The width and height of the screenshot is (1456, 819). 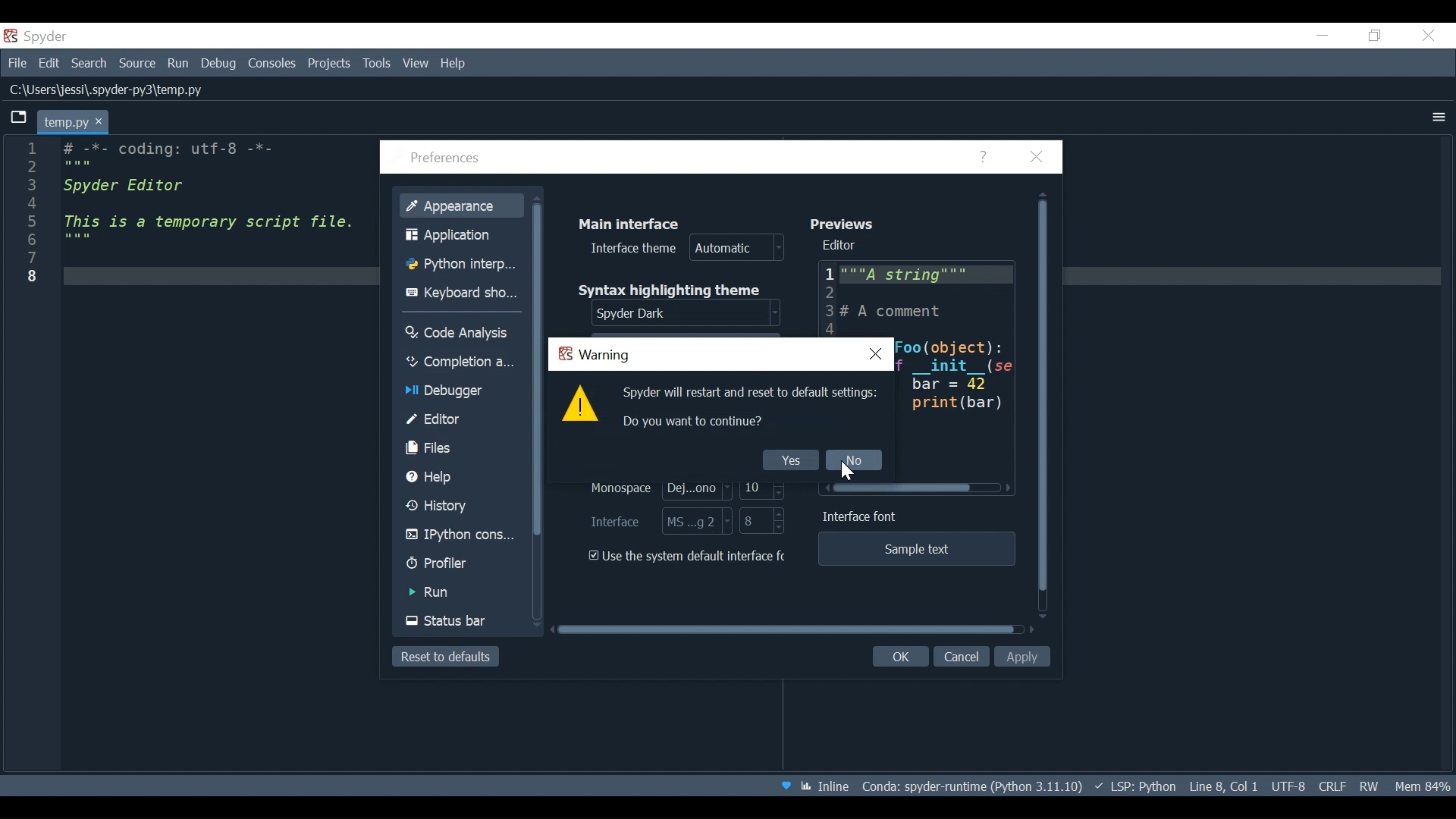 What do you see at coordinates (461, 331) in the screenshot?
I see `Code Analysis` at bounding box center [461, 331].